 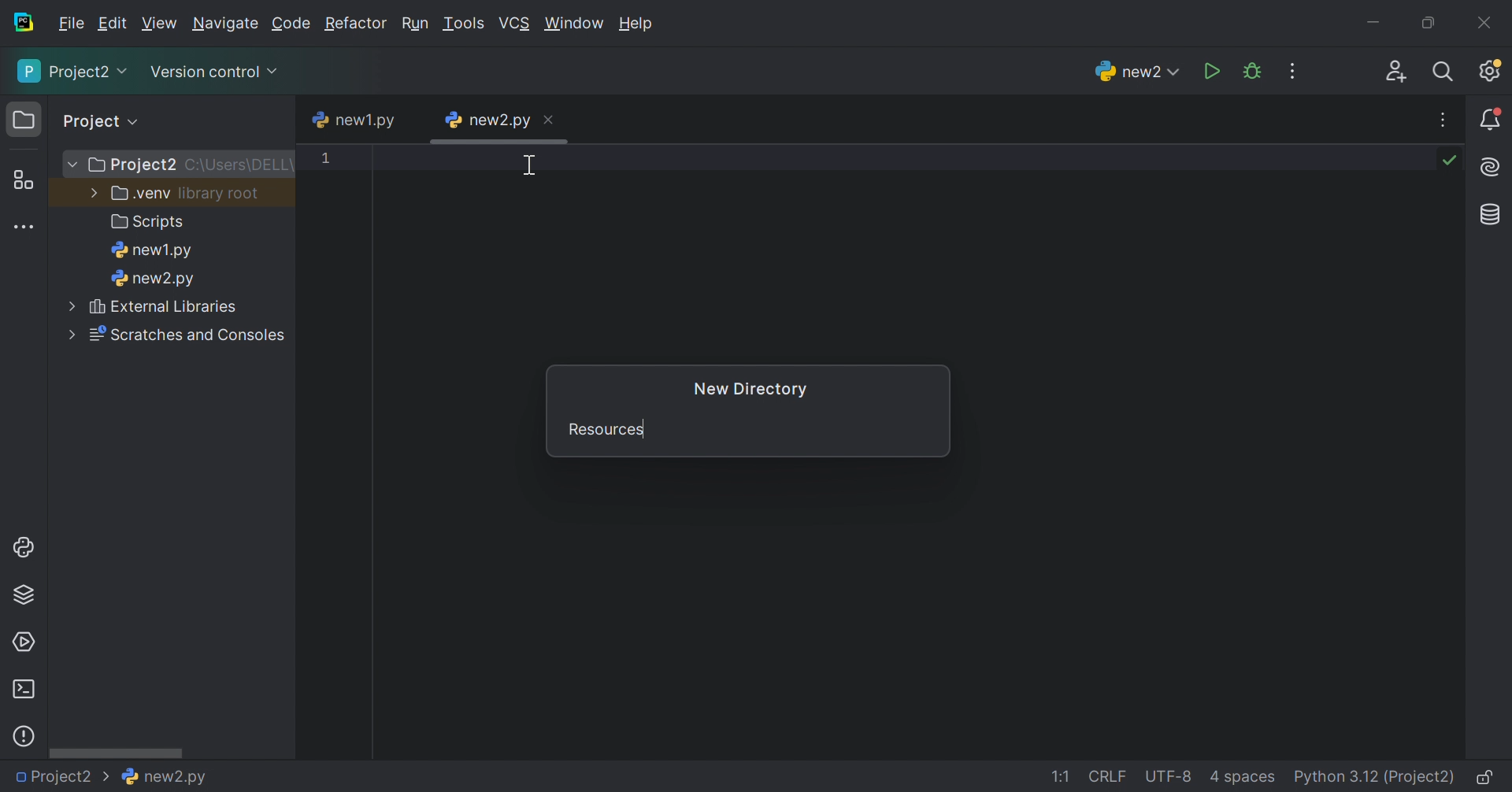 I want to click on Help, so click(x=633, y=21).